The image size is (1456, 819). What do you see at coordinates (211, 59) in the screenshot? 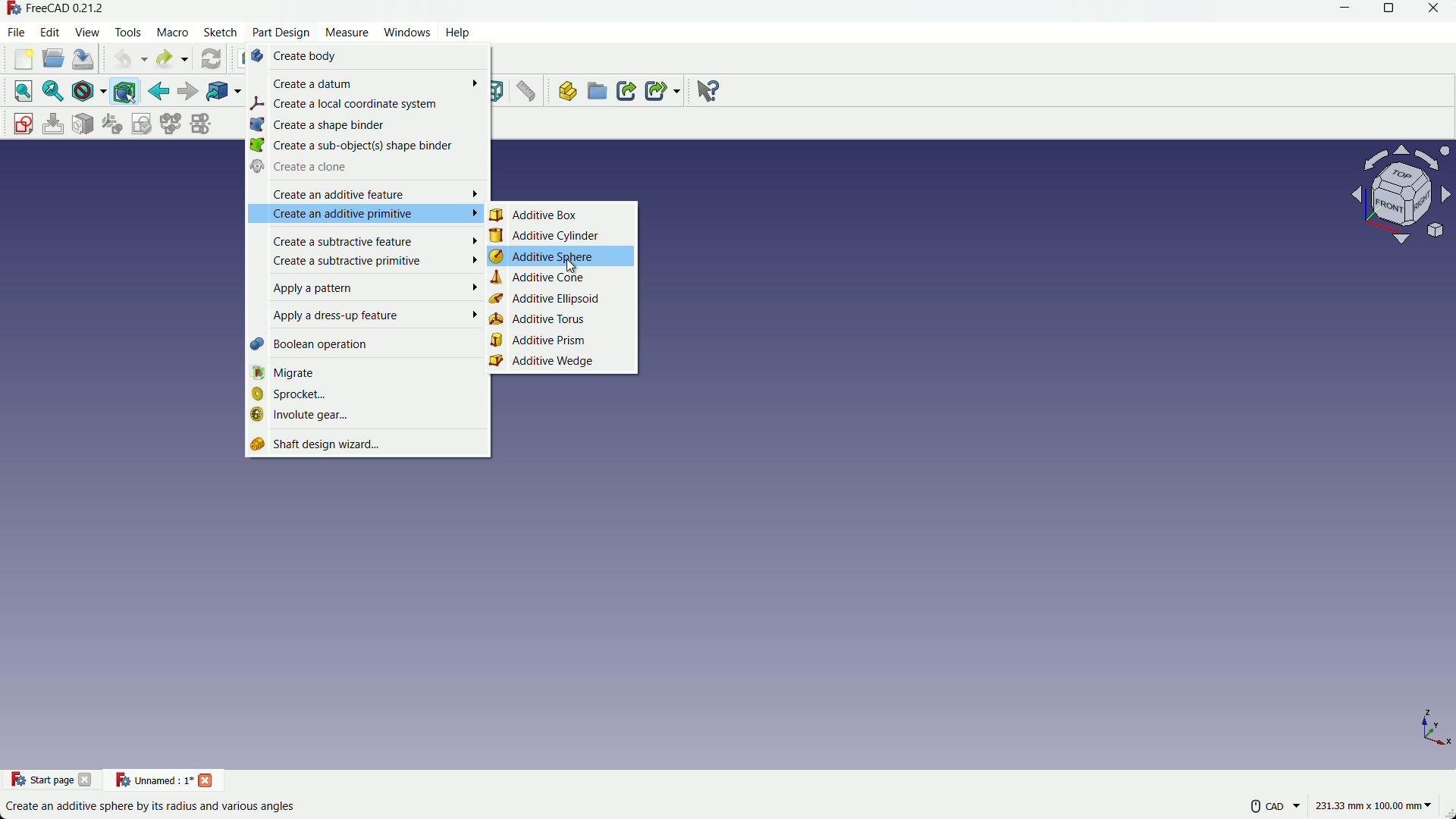
I see `refresh` at bounding box center [211, 59].